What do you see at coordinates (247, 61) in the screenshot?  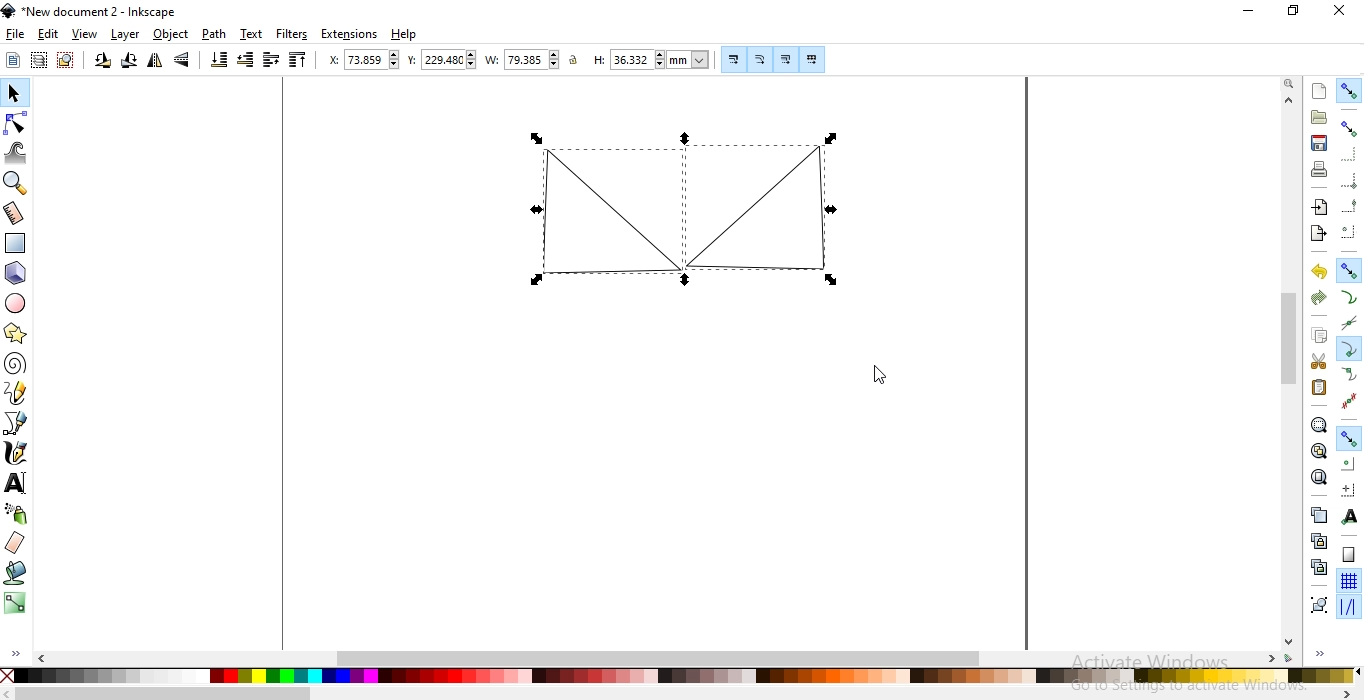 I see `lower selection one step` at bounding box center [247, 61].